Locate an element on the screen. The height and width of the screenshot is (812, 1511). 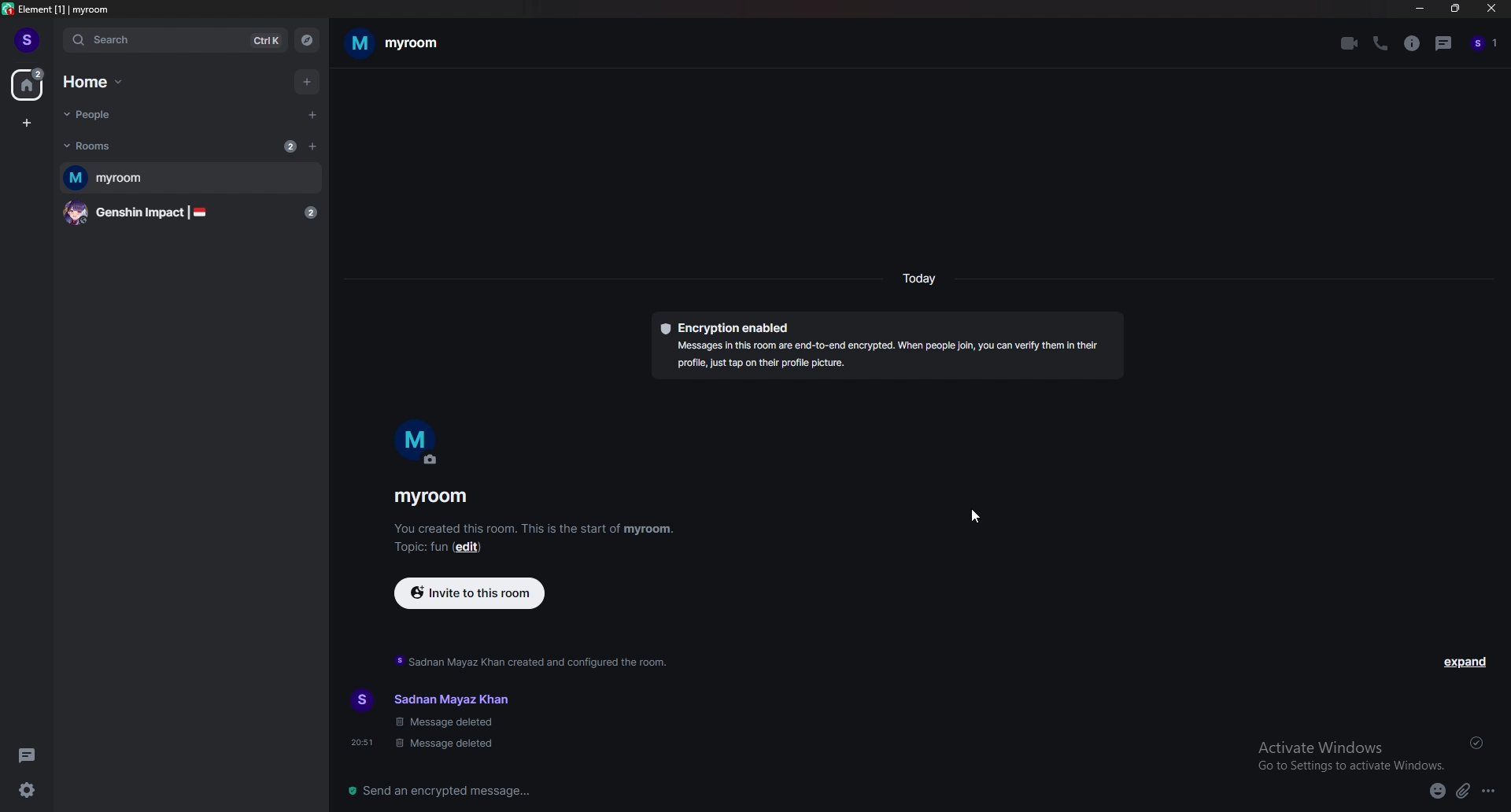
people is located at coordinates (1485, 44).